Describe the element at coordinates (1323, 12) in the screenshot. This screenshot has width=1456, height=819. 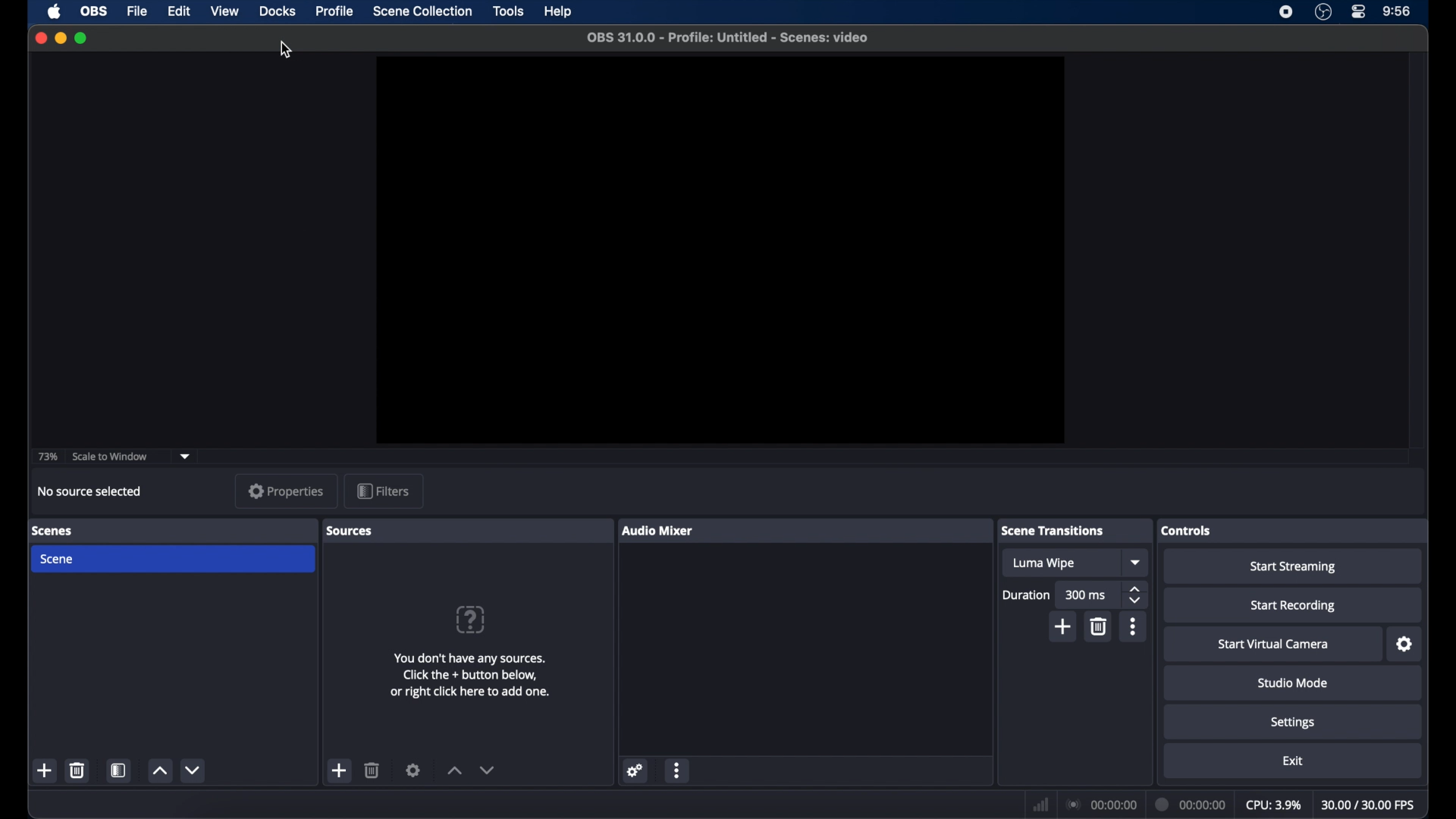
I see `obs studio` at that location.